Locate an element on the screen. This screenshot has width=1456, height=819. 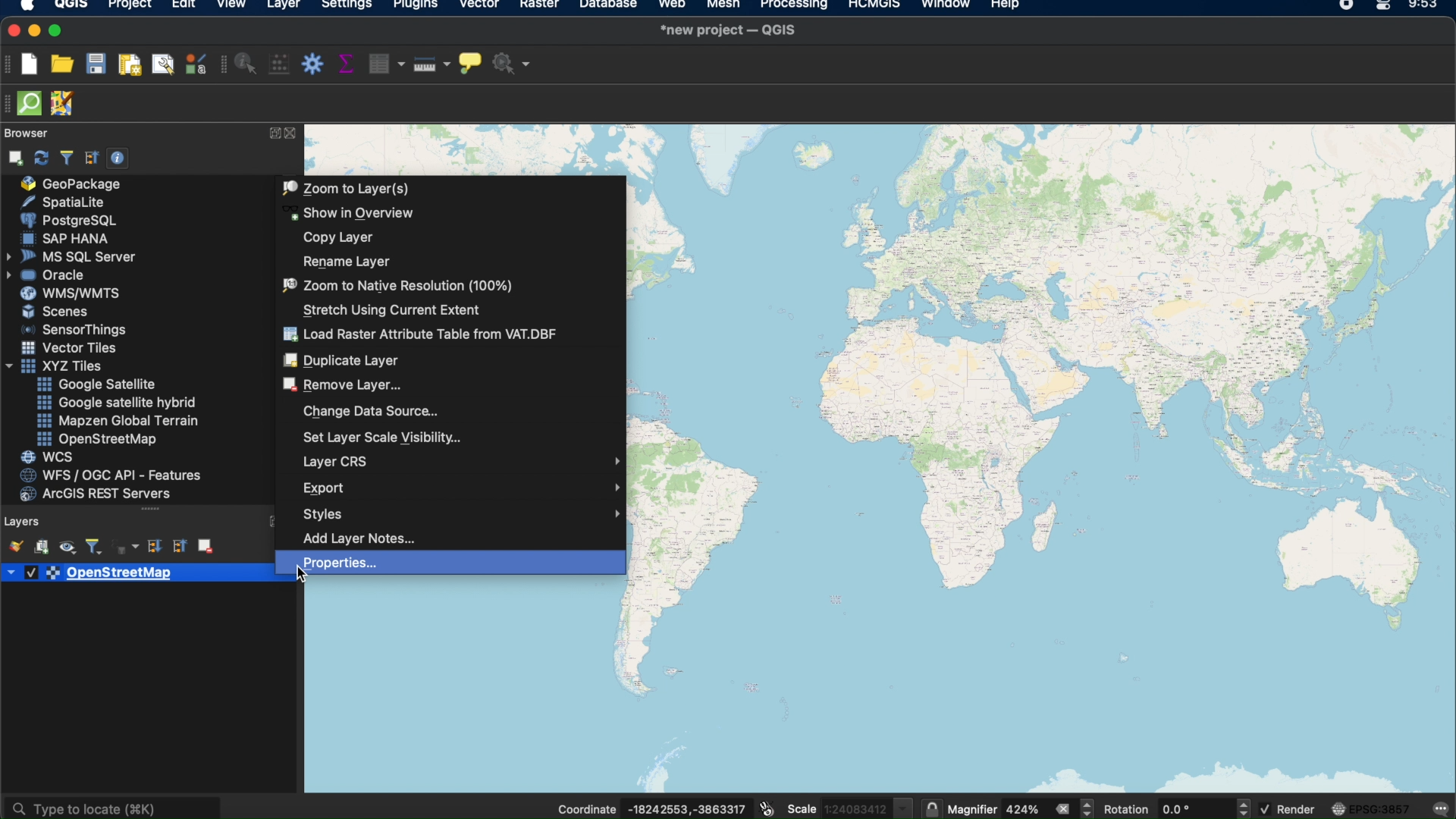
was/ogc api- features is located at coordinates (111, 475).